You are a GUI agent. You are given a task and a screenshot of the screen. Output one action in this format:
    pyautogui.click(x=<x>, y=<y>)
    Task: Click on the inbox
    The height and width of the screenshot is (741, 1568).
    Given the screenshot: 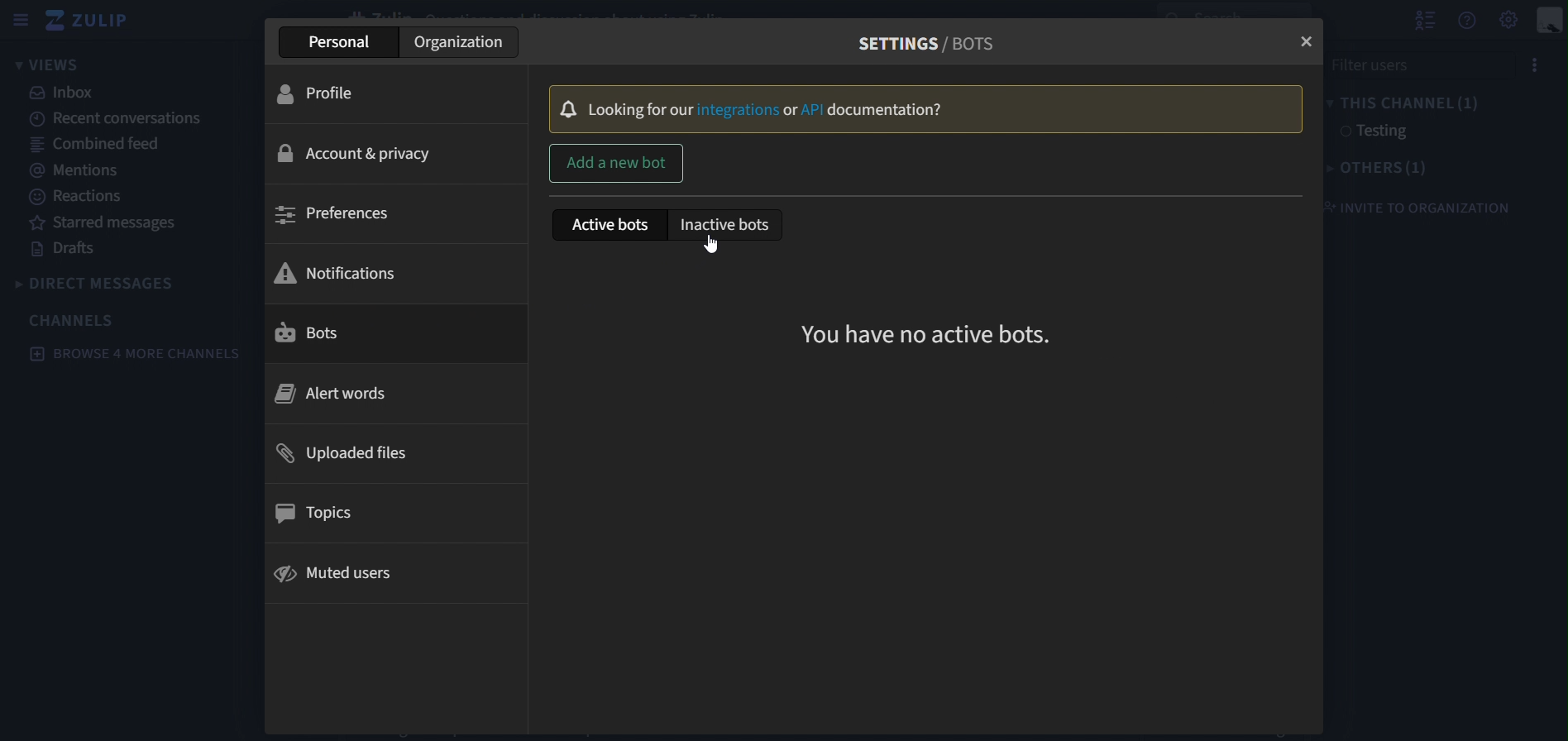 What is the action you would take?
    pyautogui.click(x=65, y=93)
    